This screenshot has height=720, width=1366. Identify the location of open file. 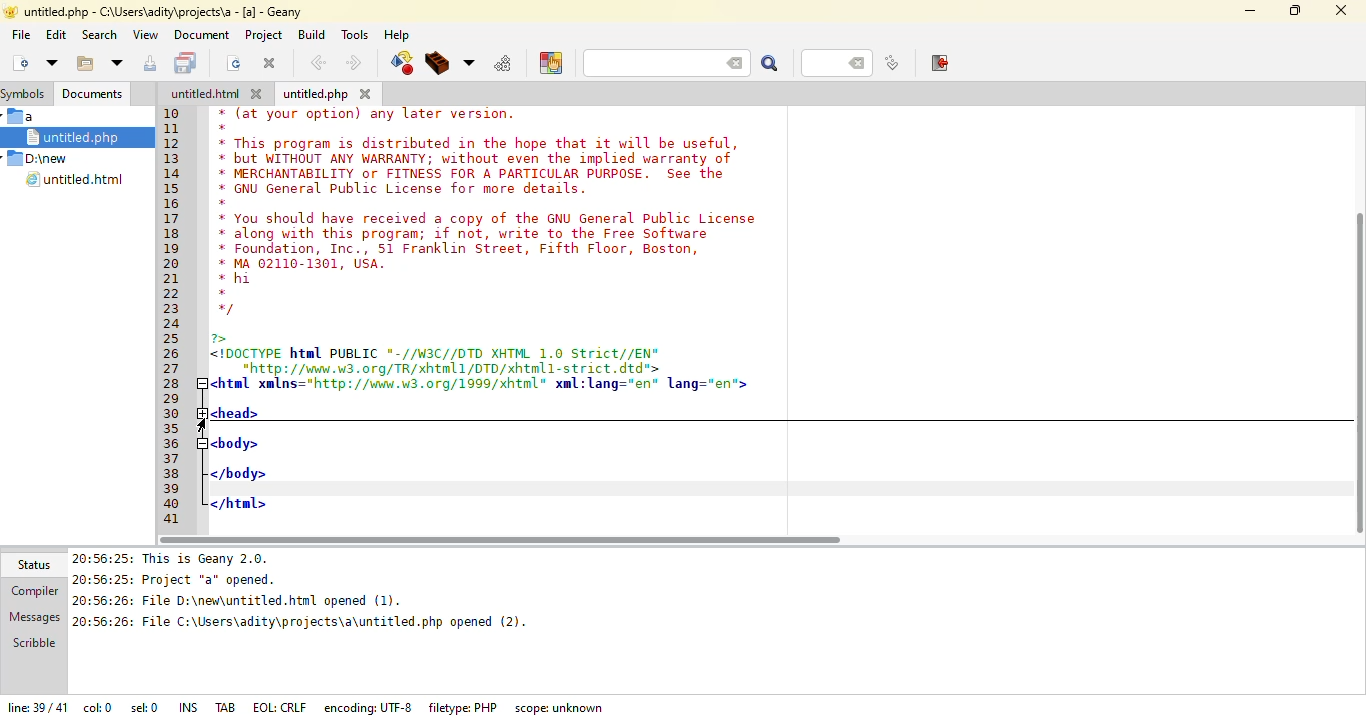
(52, 61).